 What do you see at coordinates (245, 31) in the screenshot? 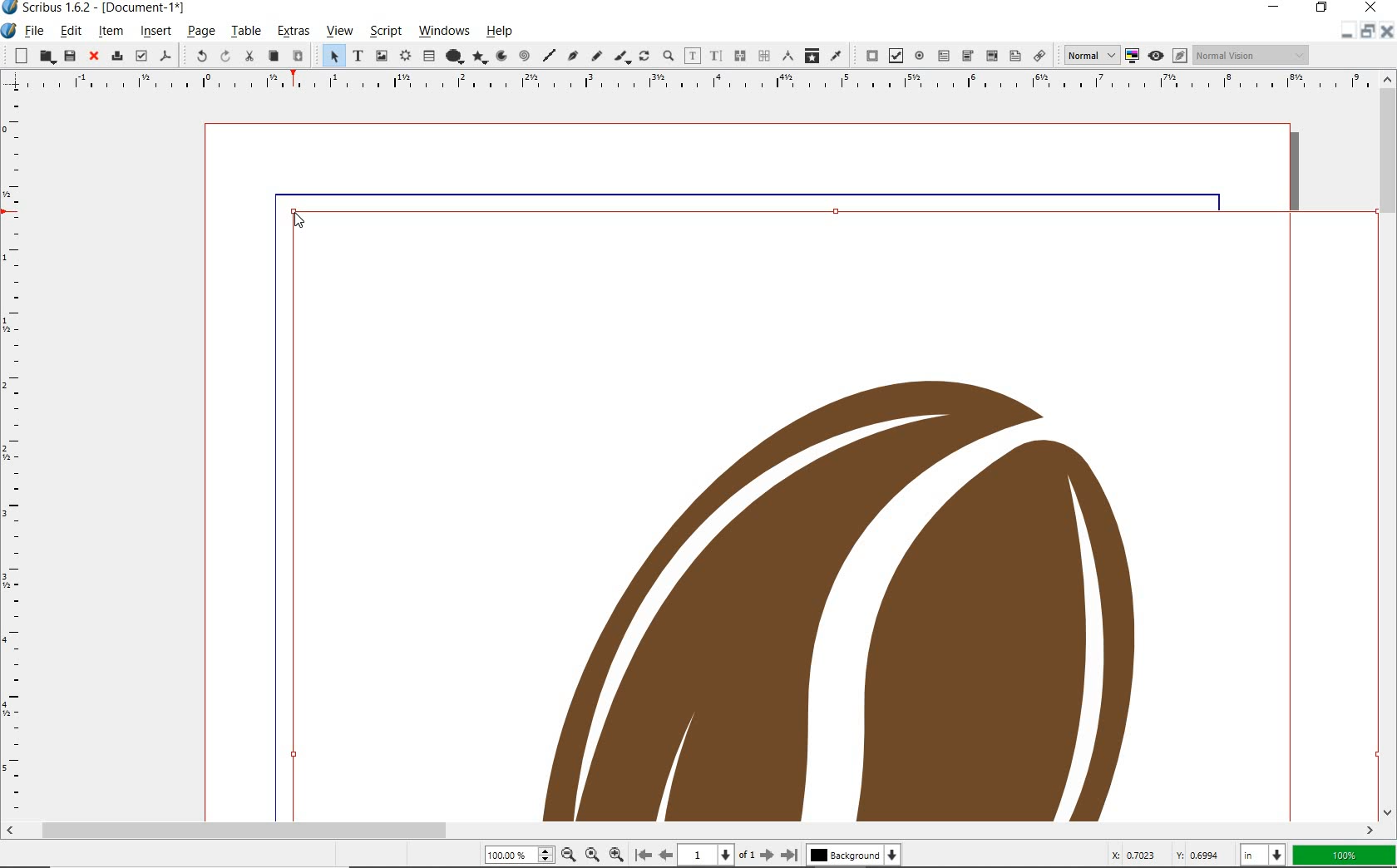
I see `table` at bounding box center [245, 31].